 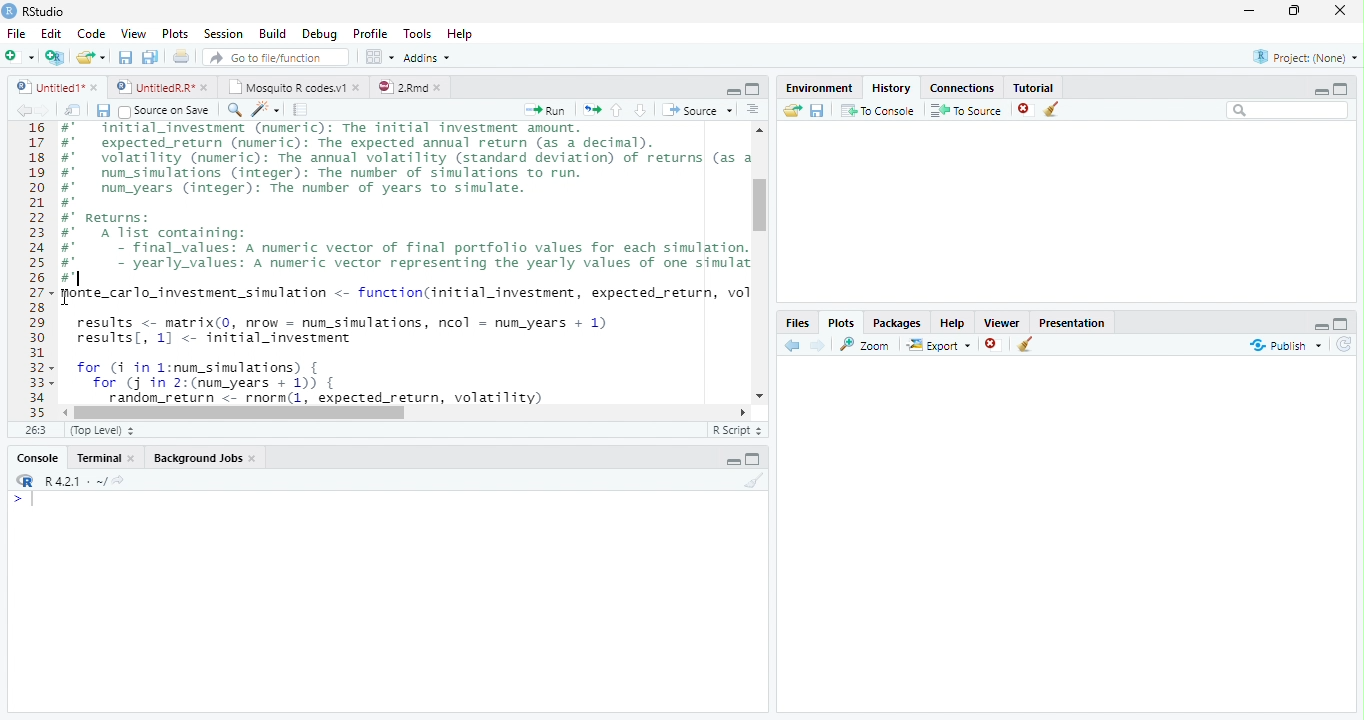 What do you see at coordinates (266, 110) in the screenshot?
I see `Code Tools` at bounding box center [266, 110].